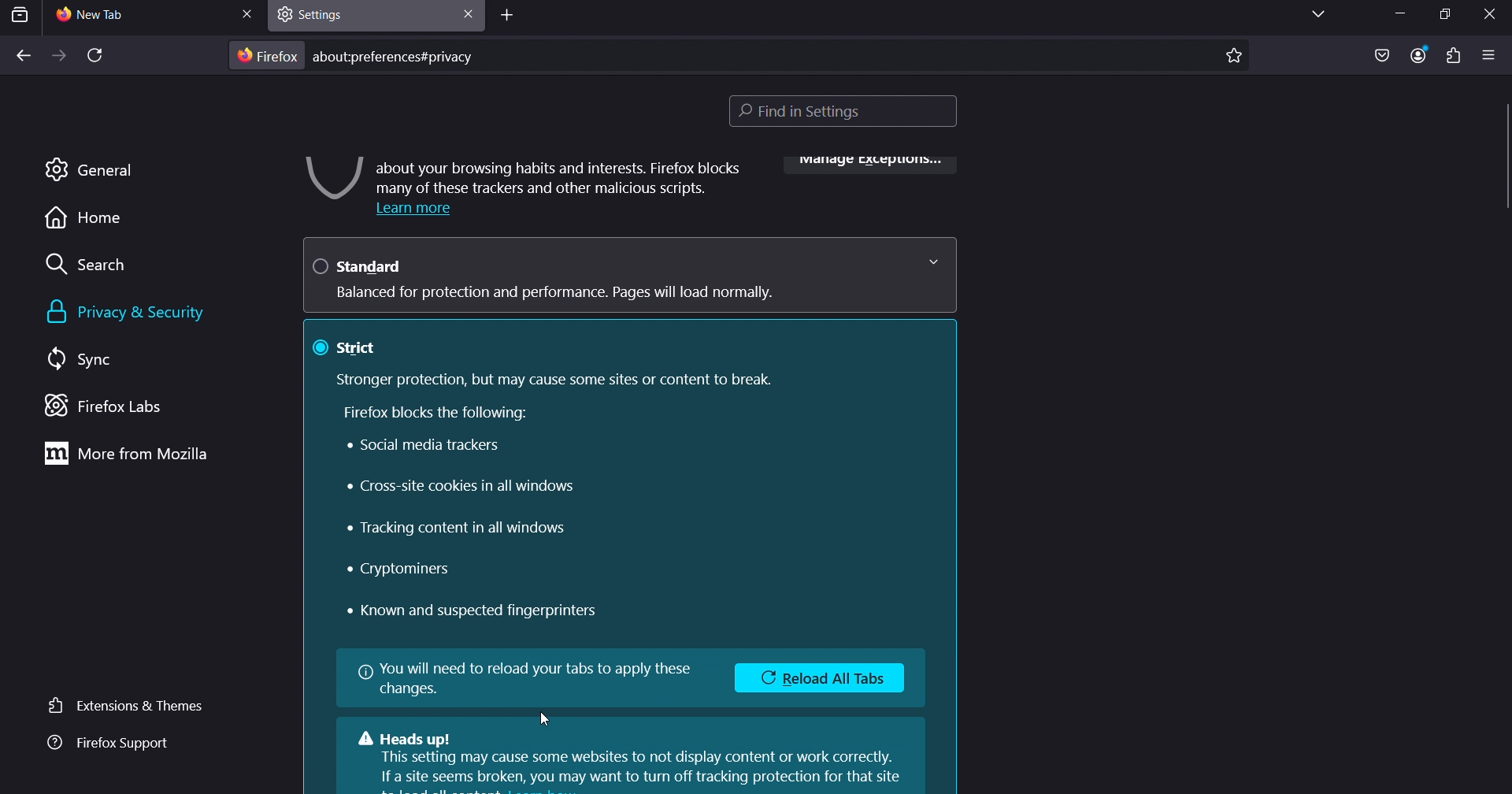  What do you see at coordinates (633, 276) in the screenshot?
I see `standard Balanced for protection and performance. Pages will load normally.` at bounding box center [633, 276].